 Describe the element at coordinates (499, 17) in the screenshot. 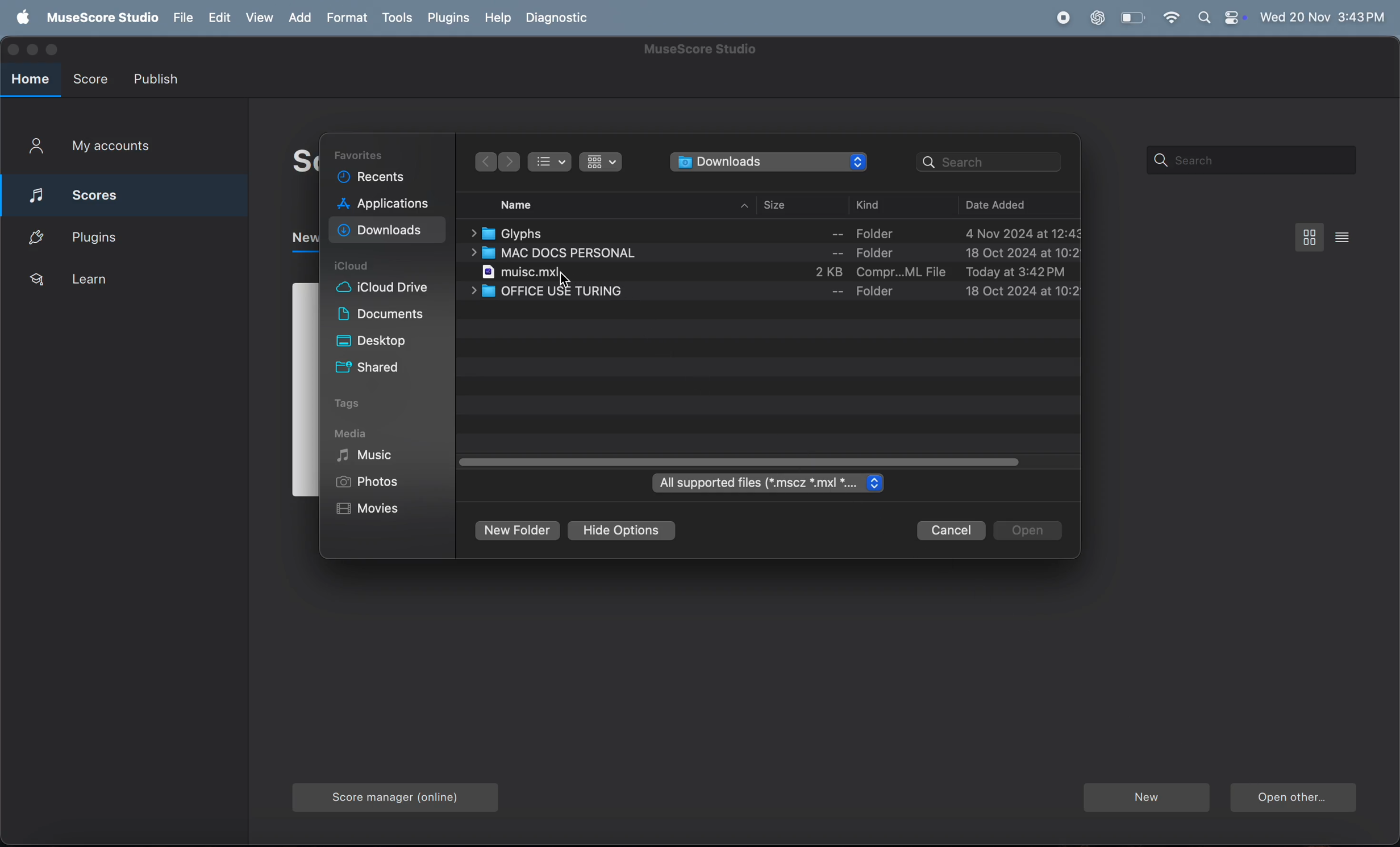

I see `help` at that location.